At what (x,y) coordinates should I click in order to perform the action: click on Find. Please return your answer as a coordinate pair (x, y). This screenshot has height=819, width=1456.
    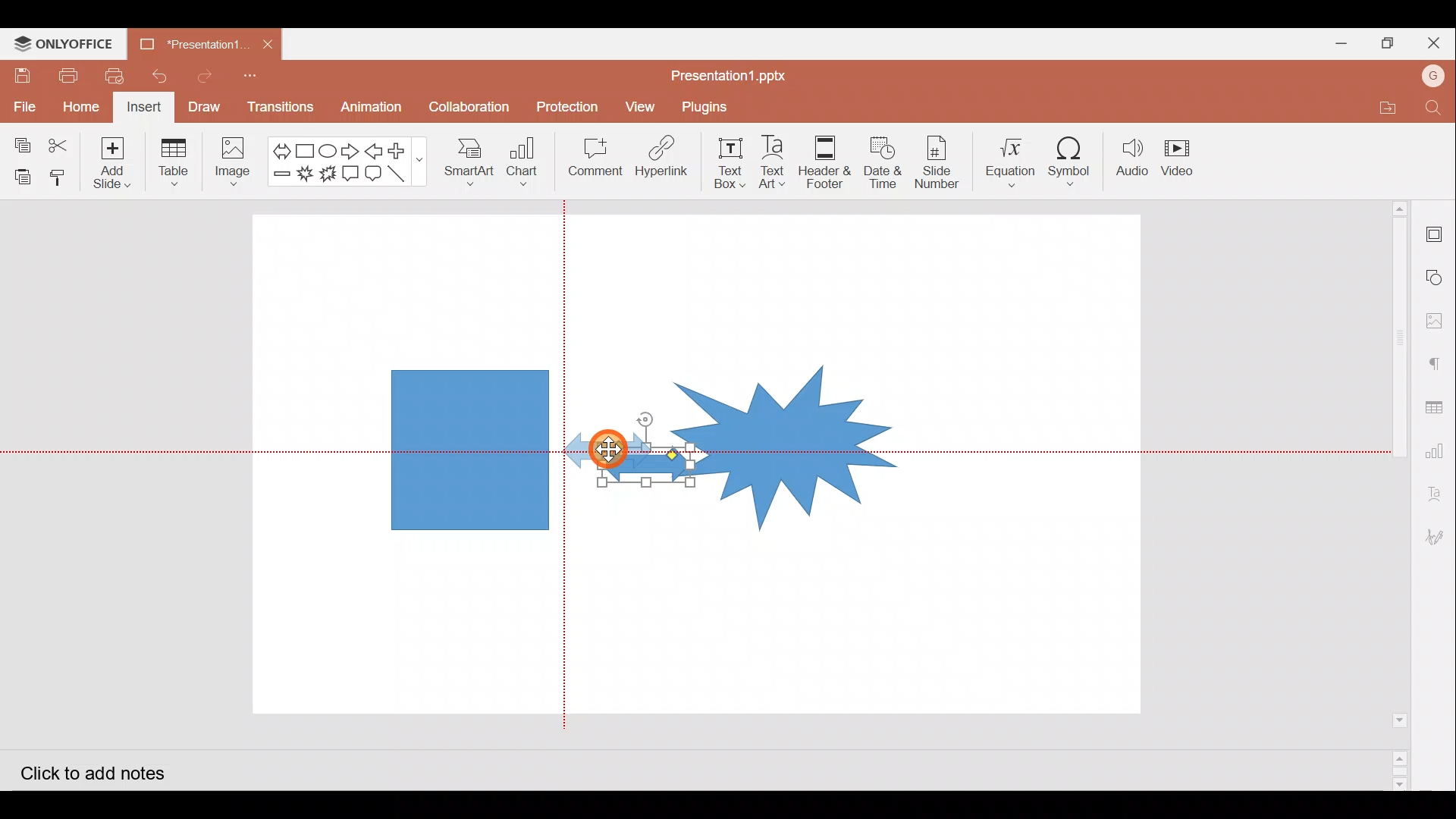
    Looking at the image, I should click on (1433, 108).